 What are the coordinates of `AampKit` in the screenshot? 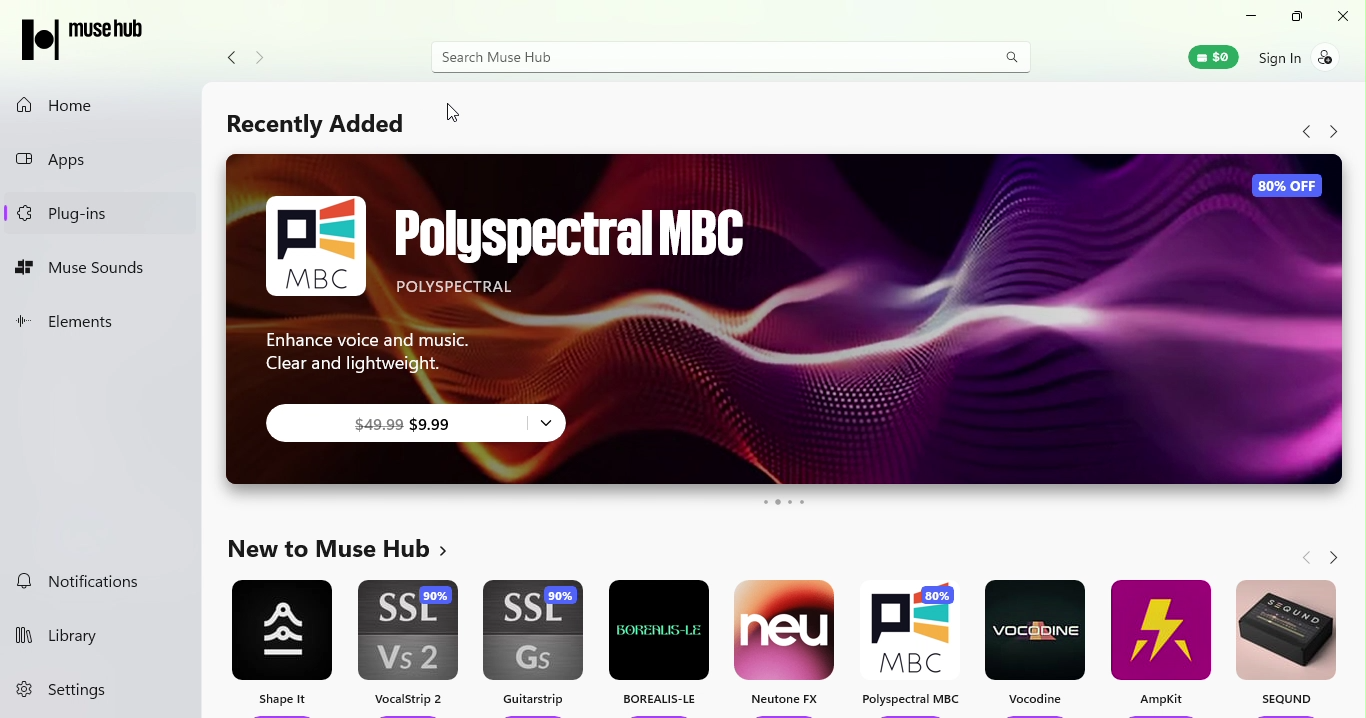 It's located at (1158, 645).